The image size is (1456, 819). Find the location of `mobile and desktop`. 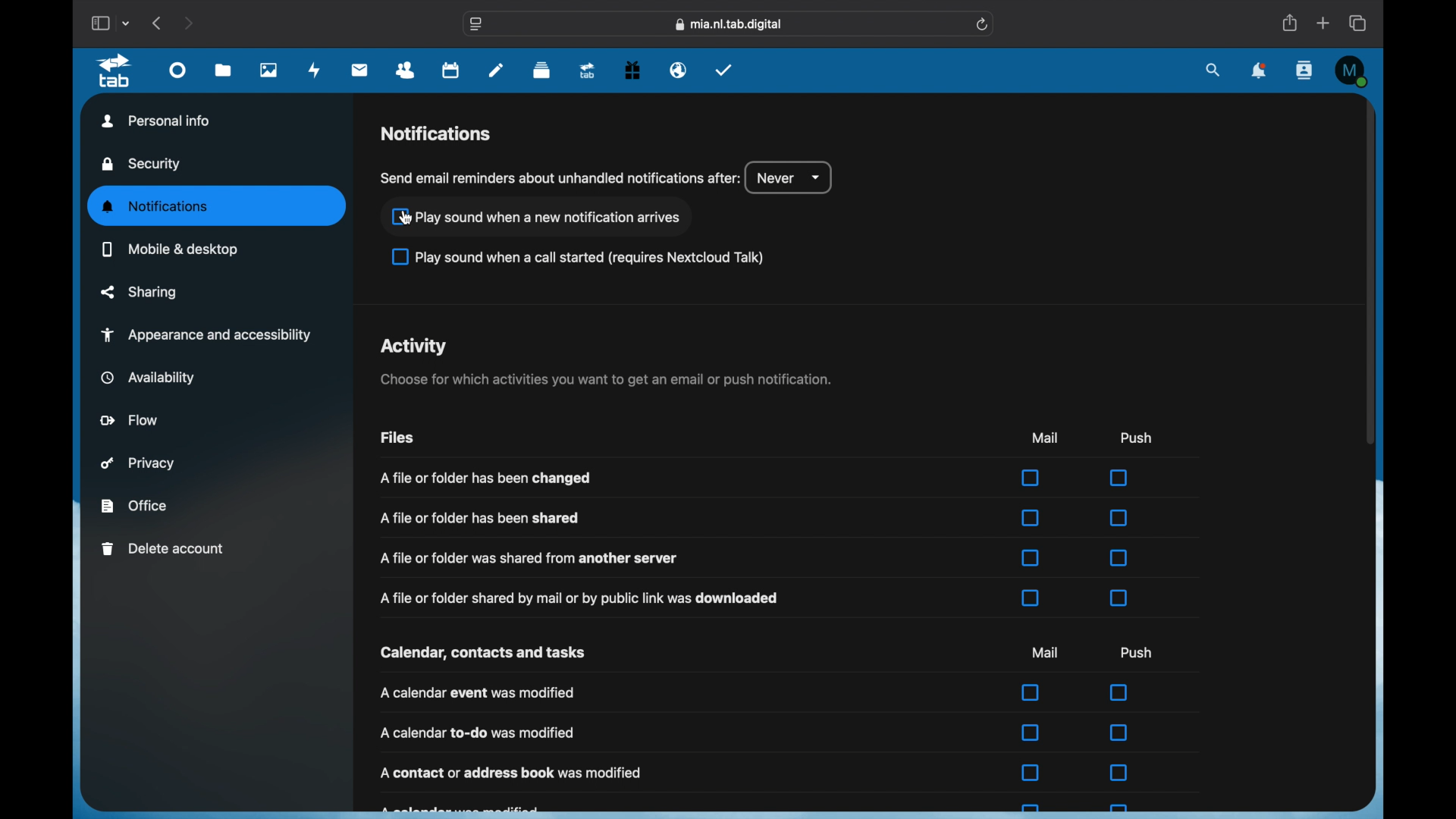

mobile and desktop is located at coordinates (170, 250).